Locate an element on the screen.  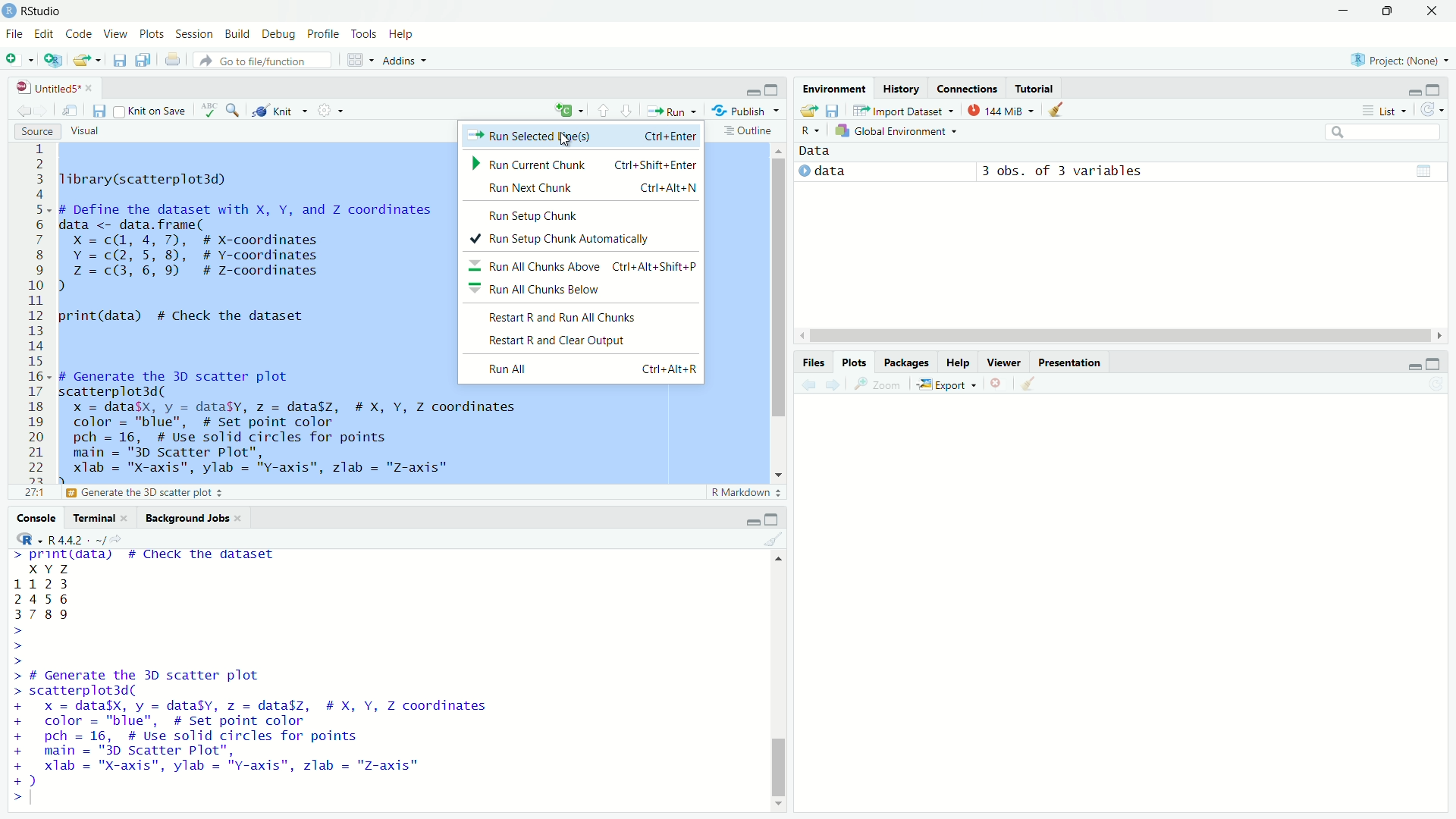
save all open documents is located at coordinates (143, 63).